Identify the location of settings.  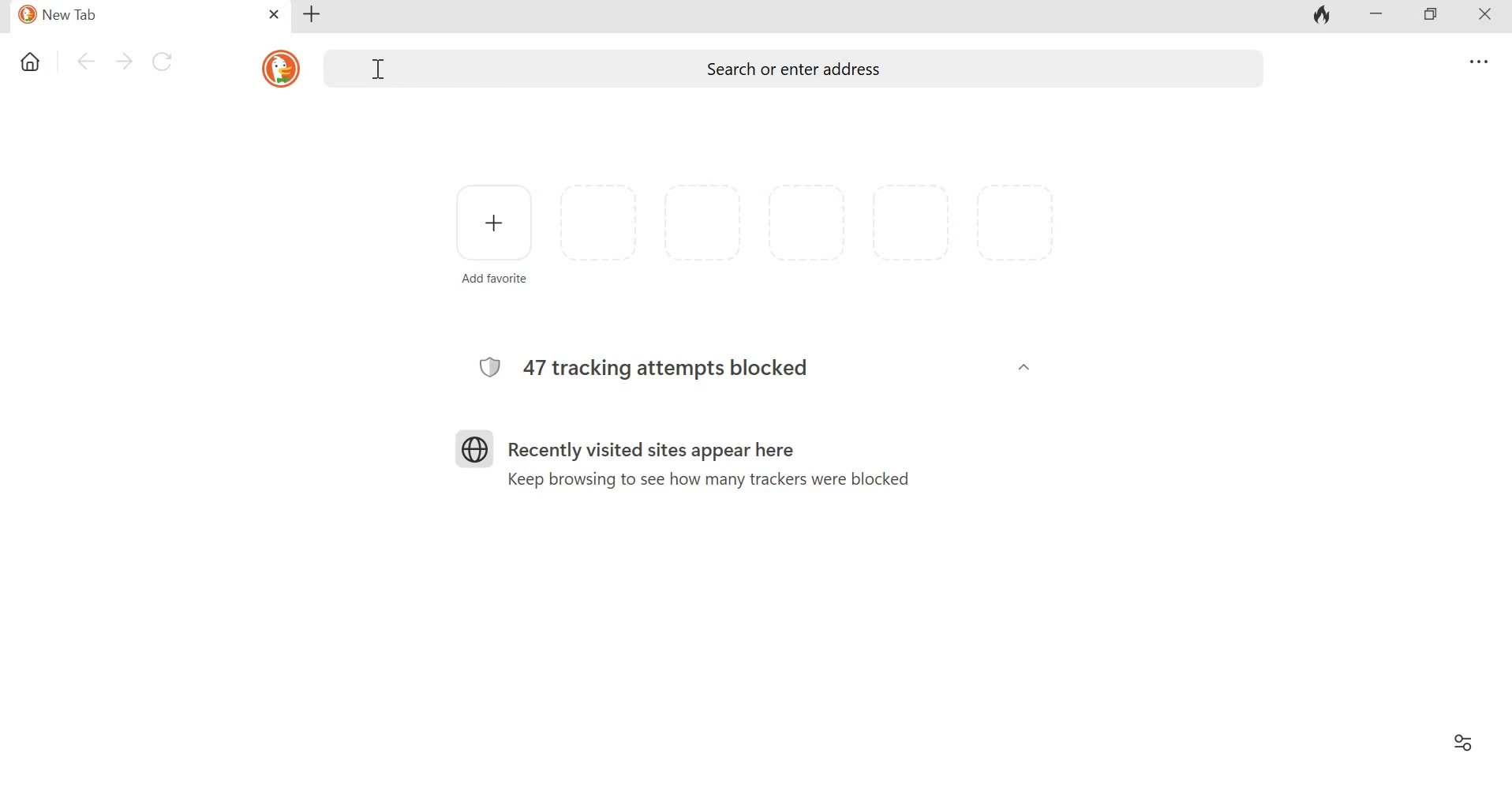
(1461, 743).